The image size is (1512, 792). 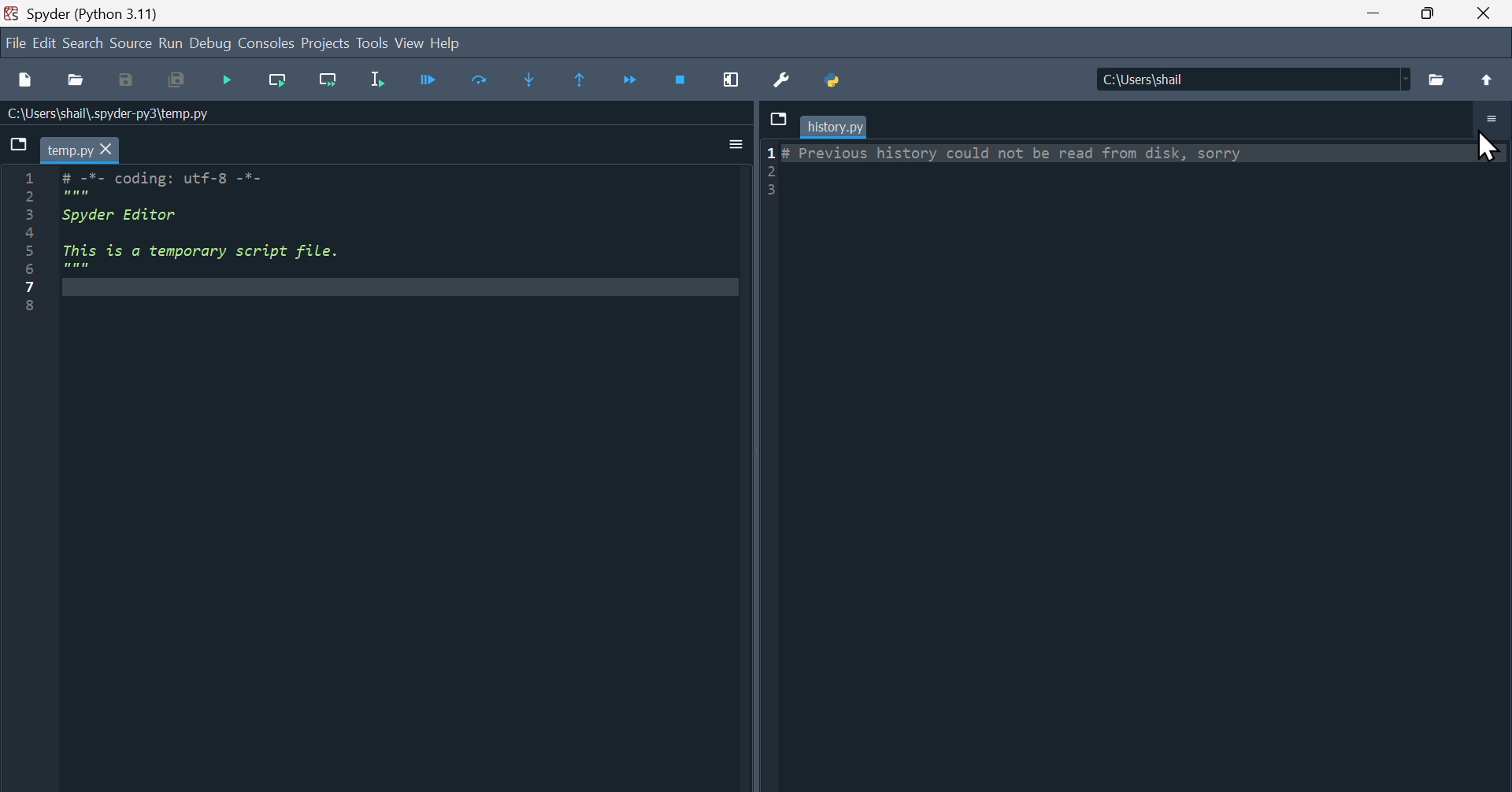 What do you see at coordinates (835, 82) in the screenshot?
I see `Python path manager` at bounding box center [835, 82].